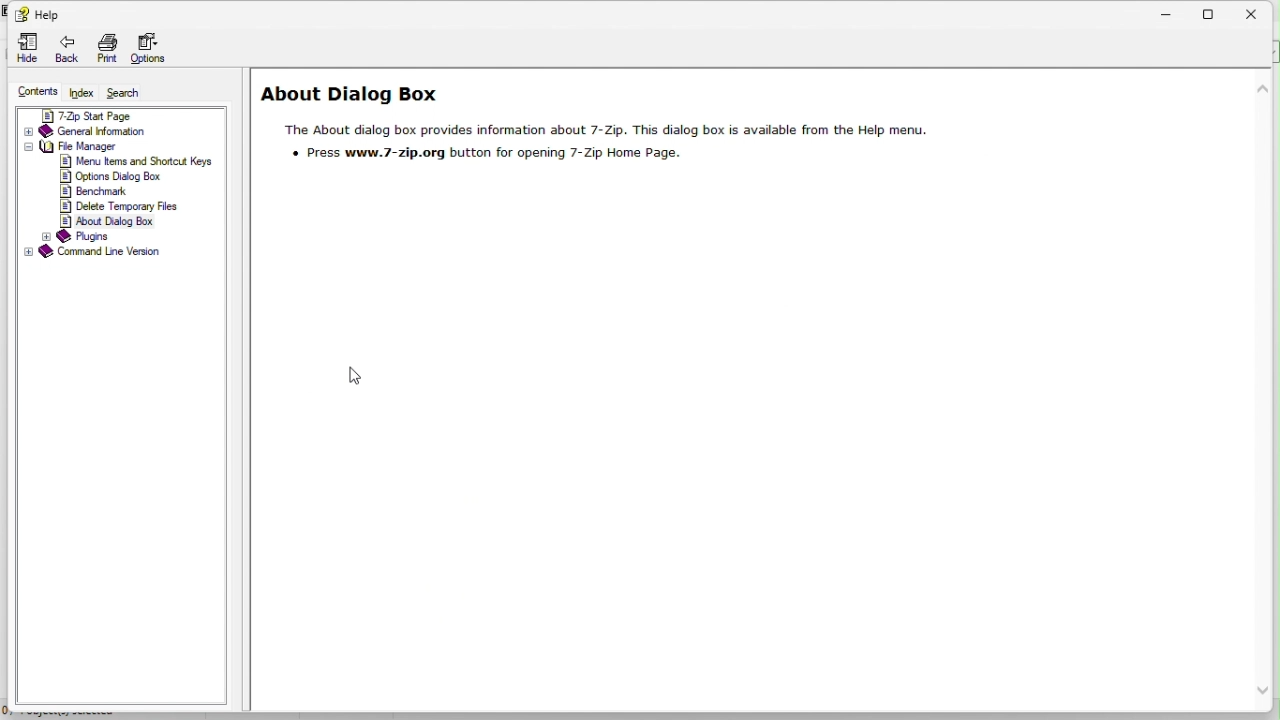 This screenshot has height=720, width=1280. I want to click on benchmark, so click(105, 190).